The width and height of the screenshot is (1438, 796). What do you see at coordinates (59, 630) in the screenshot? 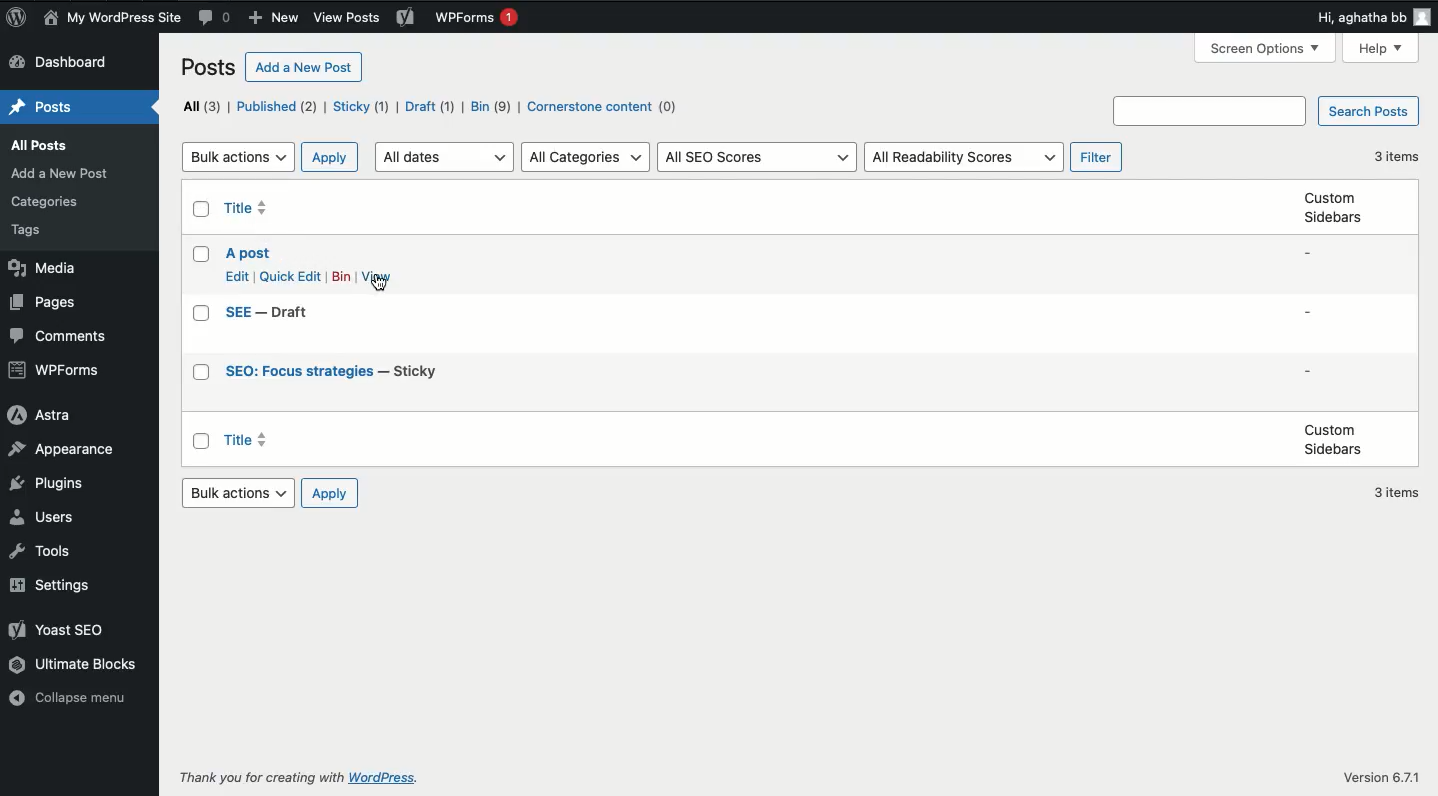
I see `Yoast` at bounding box center [59, 630].